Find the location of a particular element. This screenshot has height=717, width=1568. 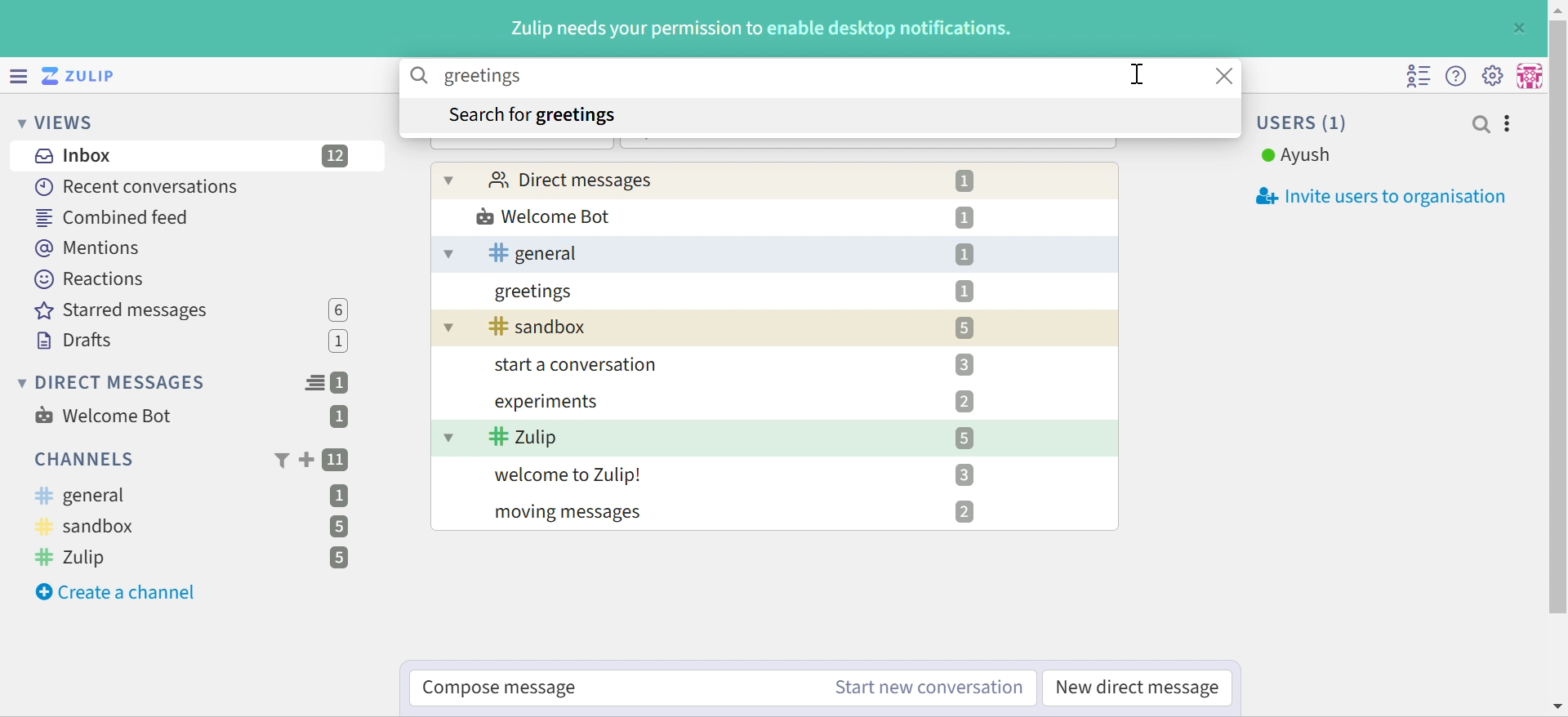

Options is located at coordinates (1508, 124).